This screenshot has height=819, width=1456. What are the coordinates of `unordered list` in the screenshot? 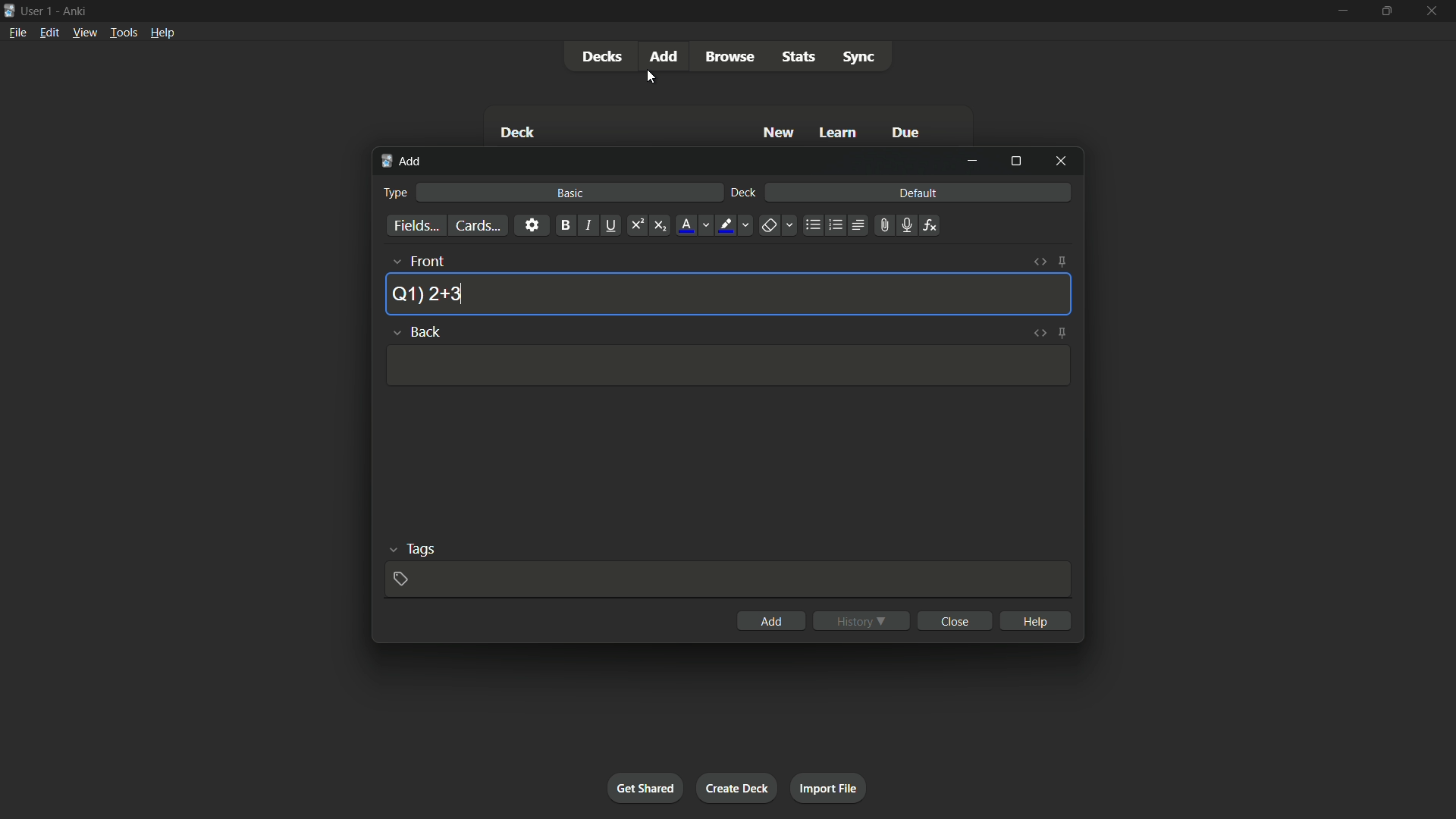 It's located at (812, 225).